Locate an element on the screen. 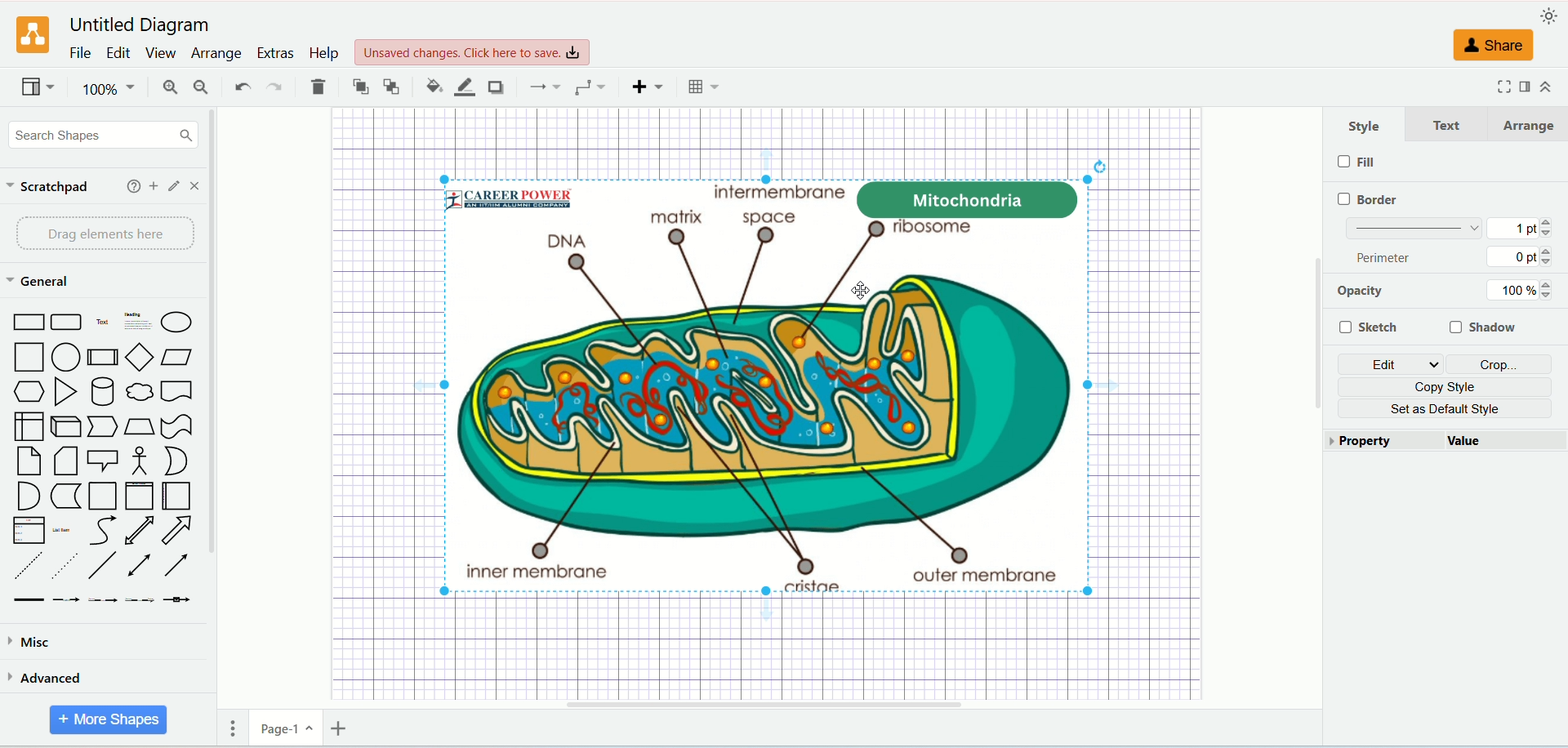  drag elements here is located at coordinates (100, 232).